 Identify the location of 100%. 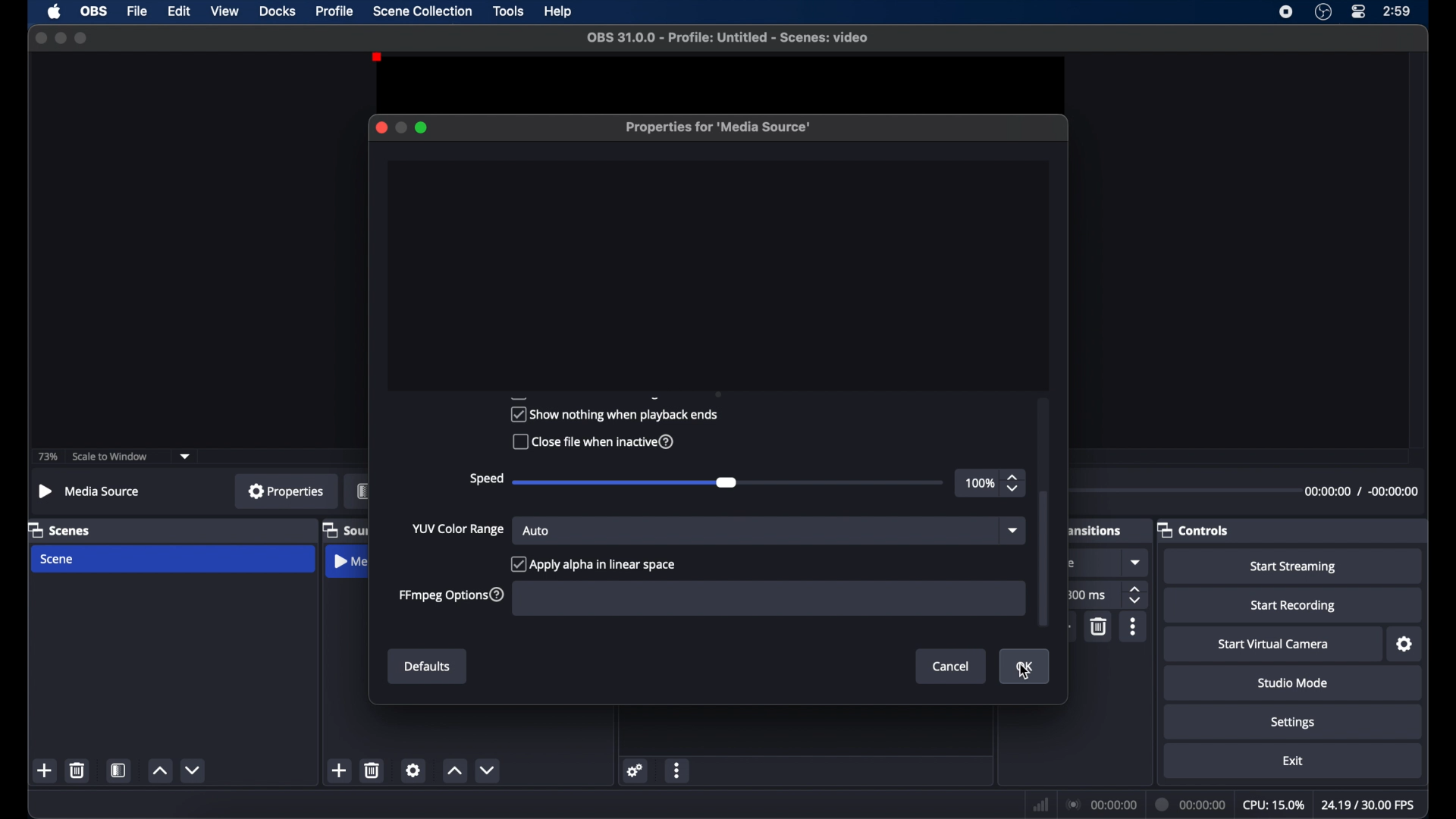
(980, 483).